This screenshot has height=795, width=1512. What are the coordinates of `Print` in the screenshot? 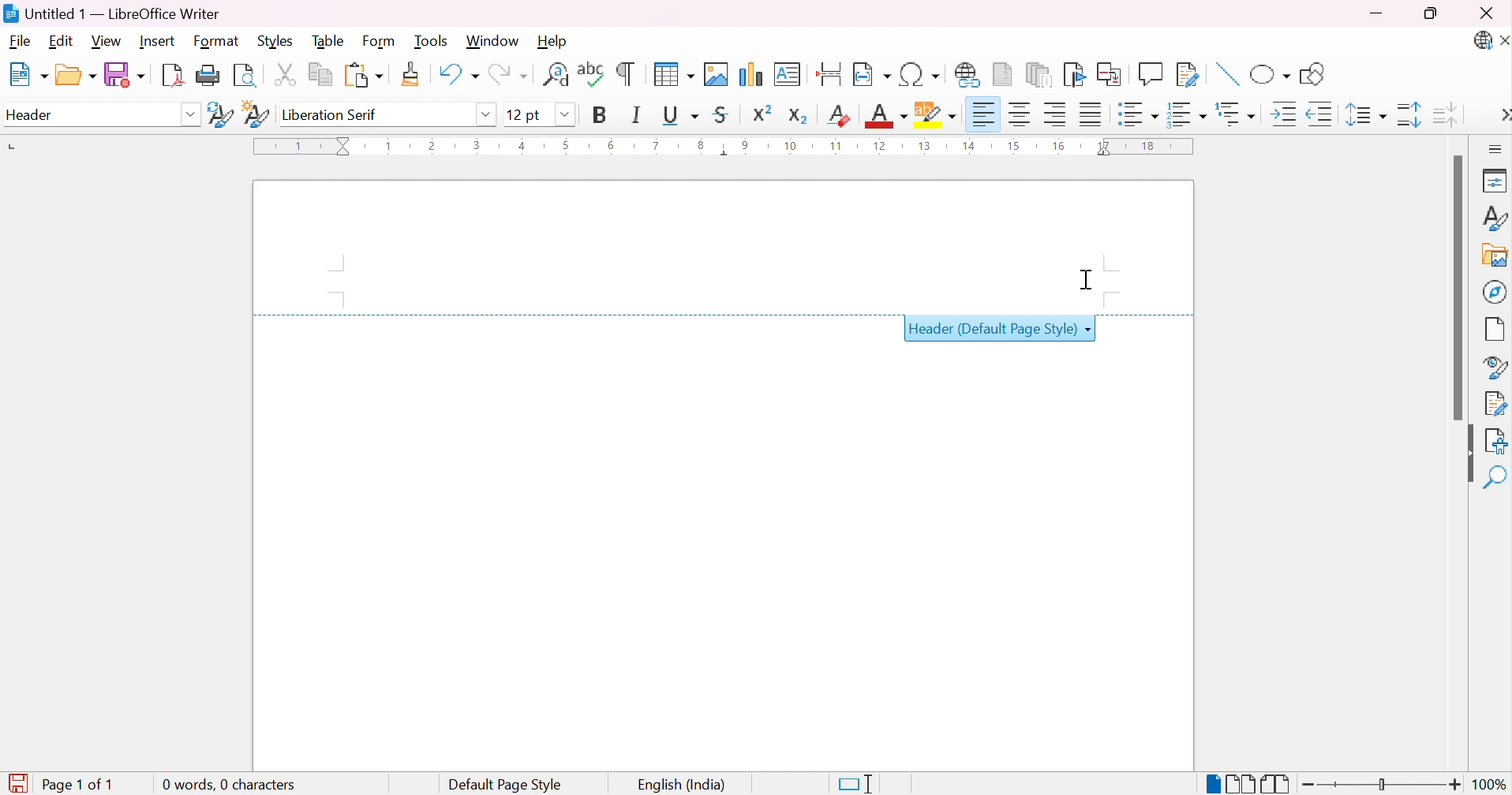 It's located at (210, 75).